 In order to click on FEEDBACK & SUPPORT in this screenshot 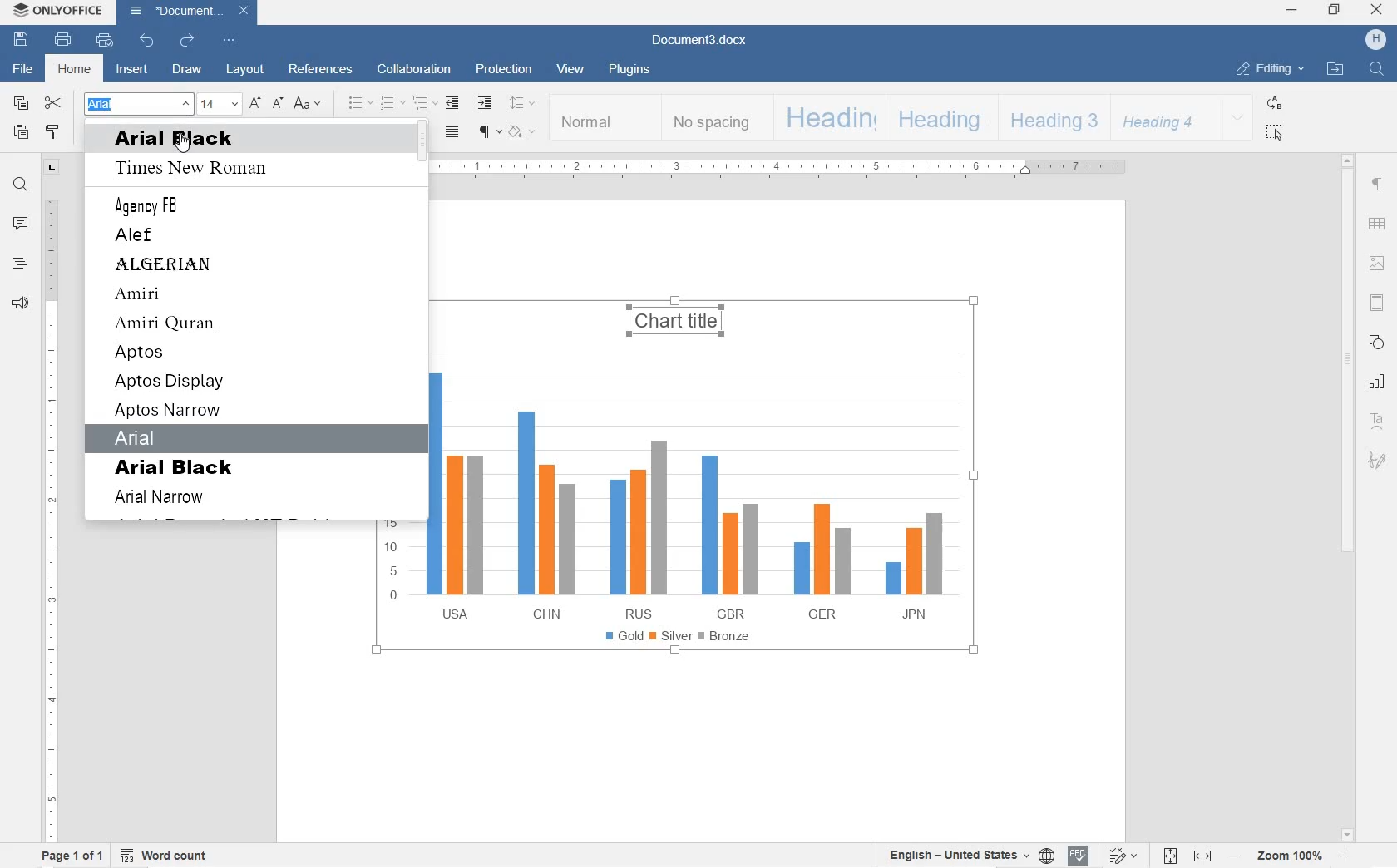, I will do `click(21, 303)`.